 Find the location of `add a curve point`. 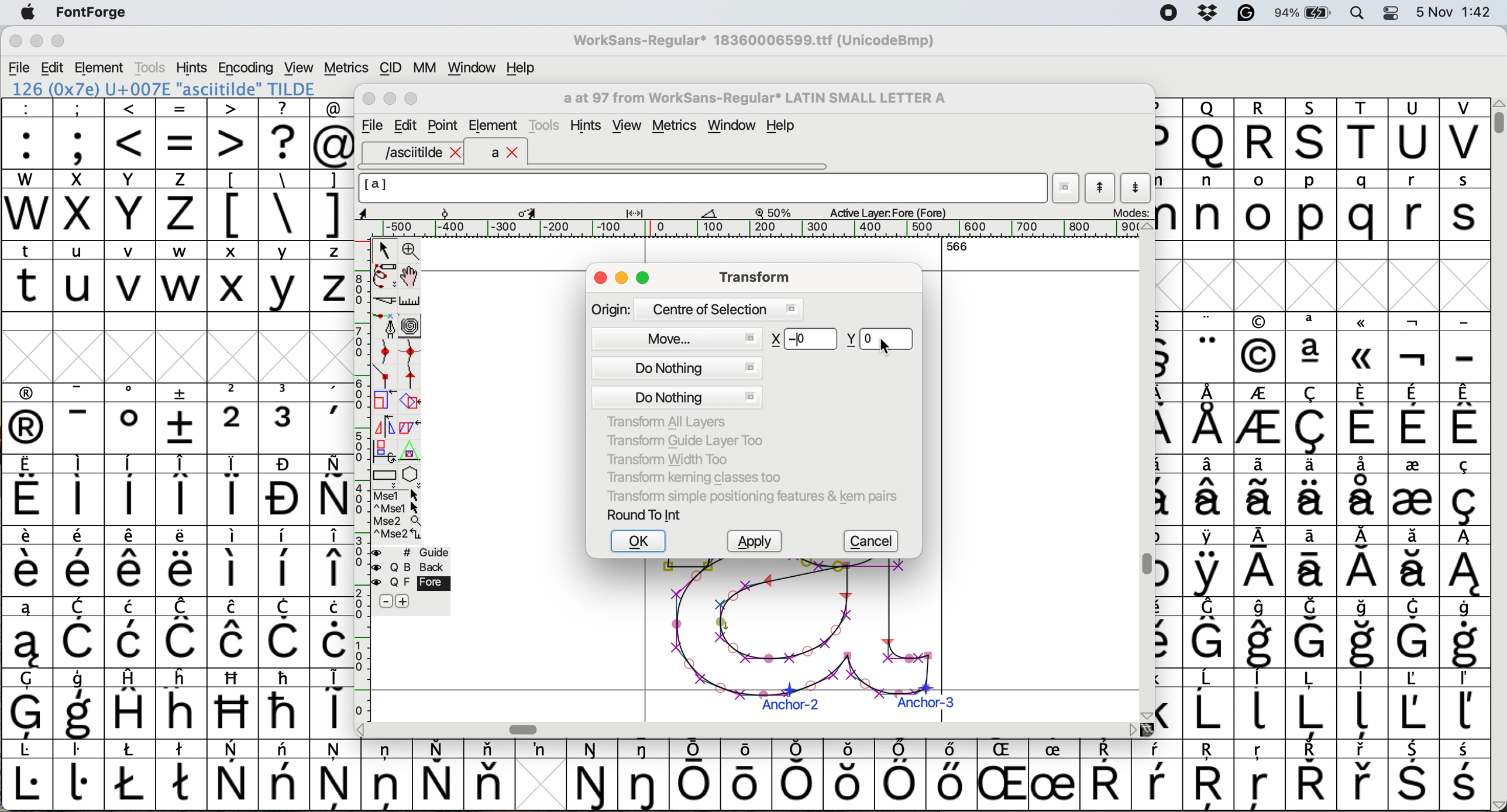

add a curve point is located at coordinates (386, 352).